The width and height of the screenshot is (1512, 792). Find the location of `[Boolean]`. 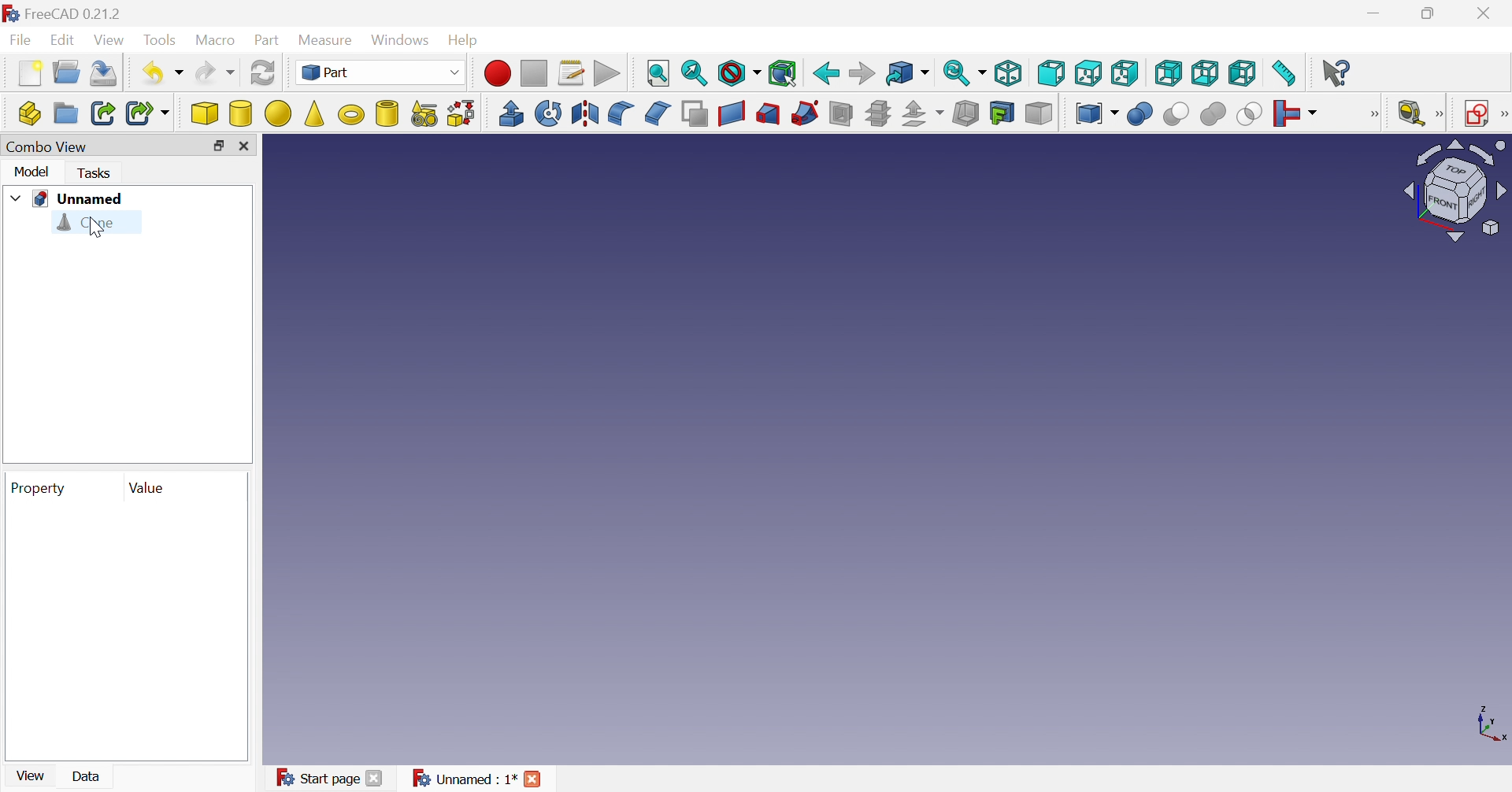

[Boolean] is located at coordinates (1378, 116).